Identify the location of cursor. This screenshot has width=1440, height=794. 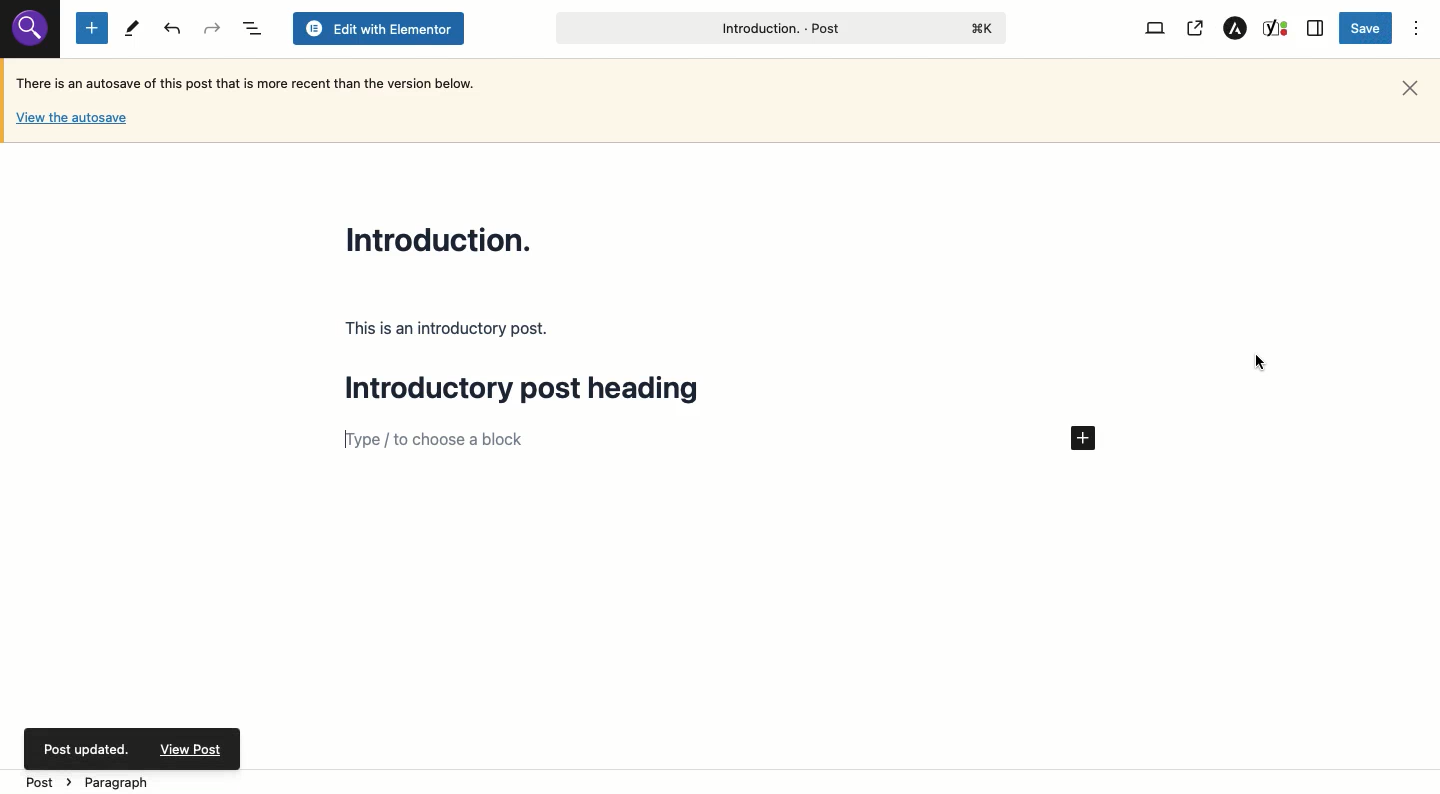
(1259, 361).